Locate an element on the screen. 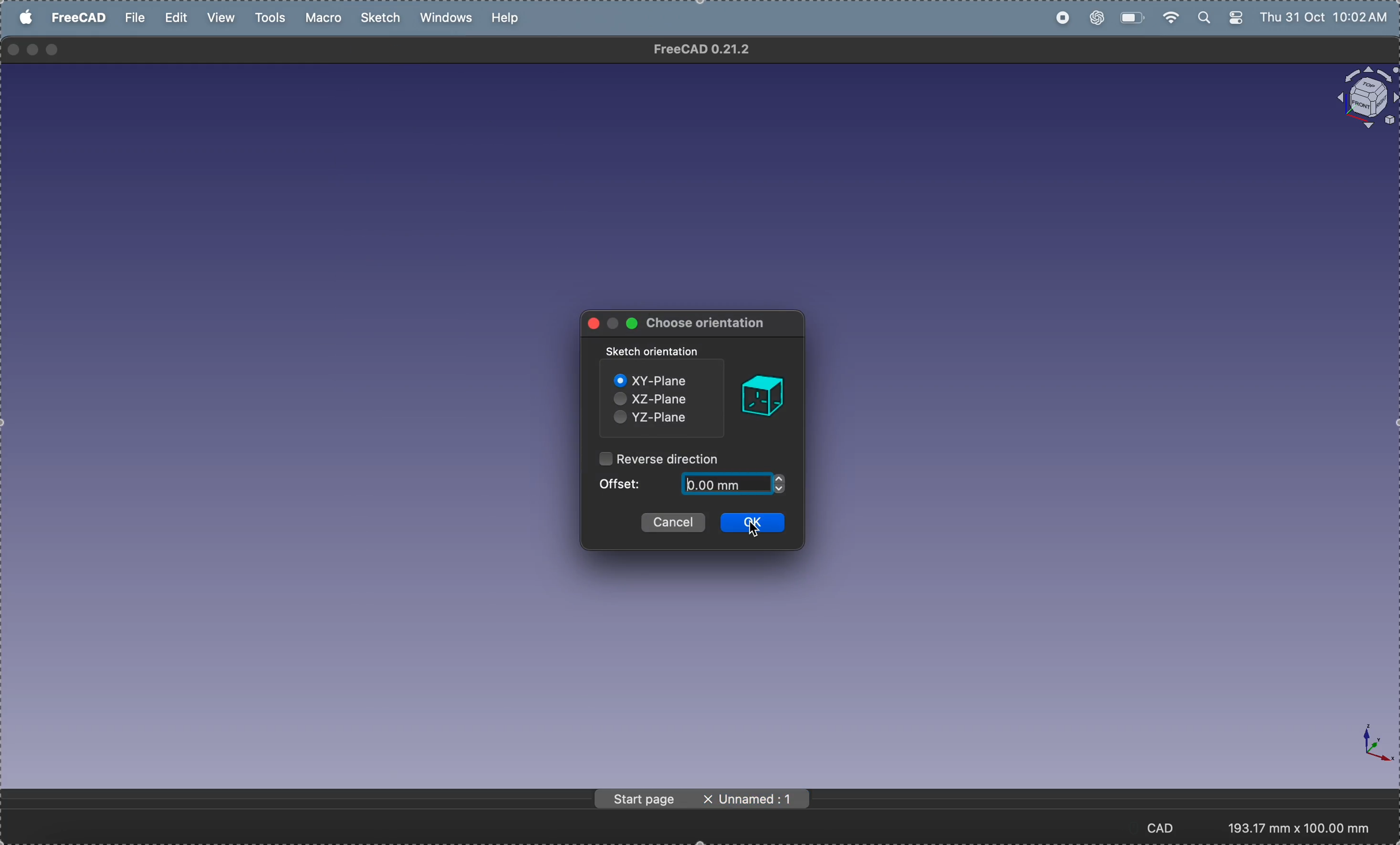 The image size is (1400, 845). axis is located at coordinates (1366, 742).